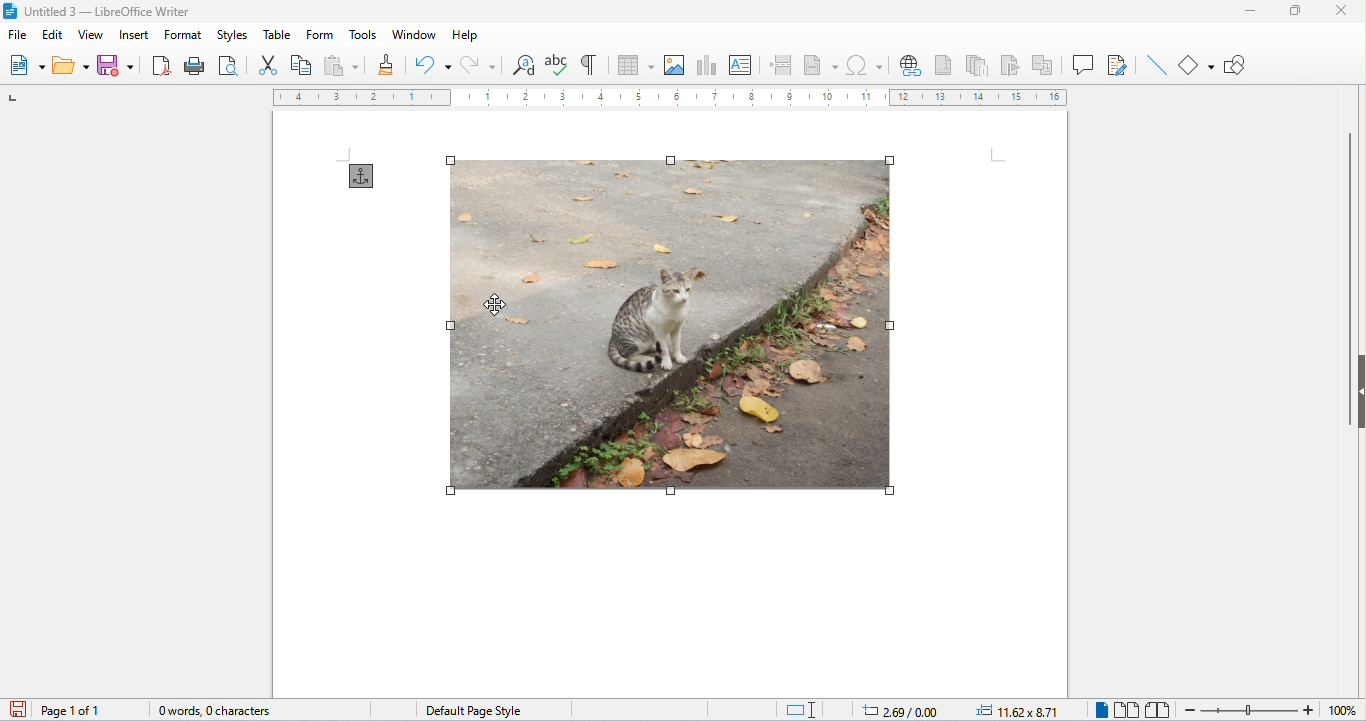  What do you see at coordinates (821, 65) in the screenshot?
I see `insert field` at bounding box center [821, 65].